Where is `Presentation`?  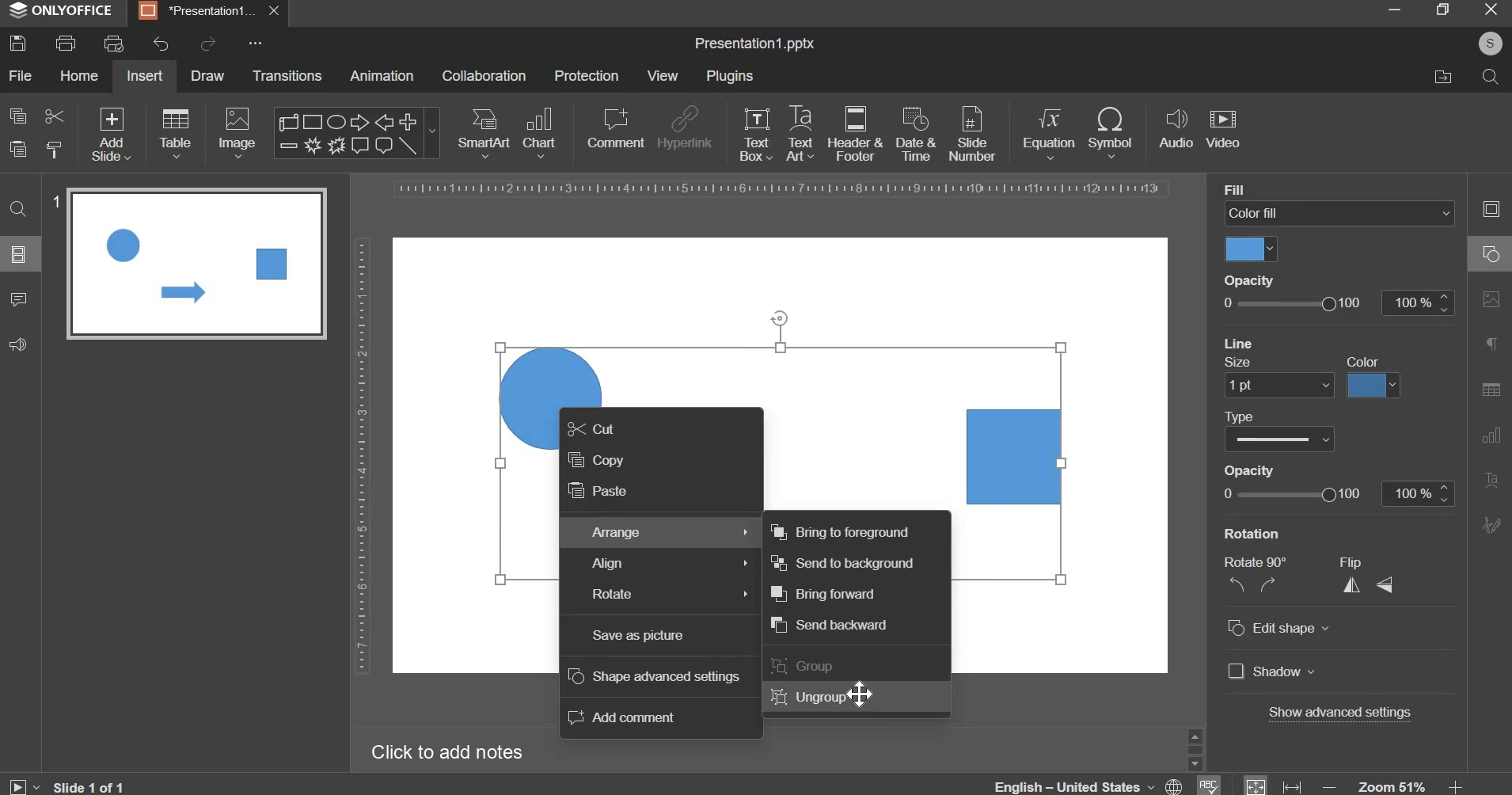
Presentation is located at coordinates (198, 12).